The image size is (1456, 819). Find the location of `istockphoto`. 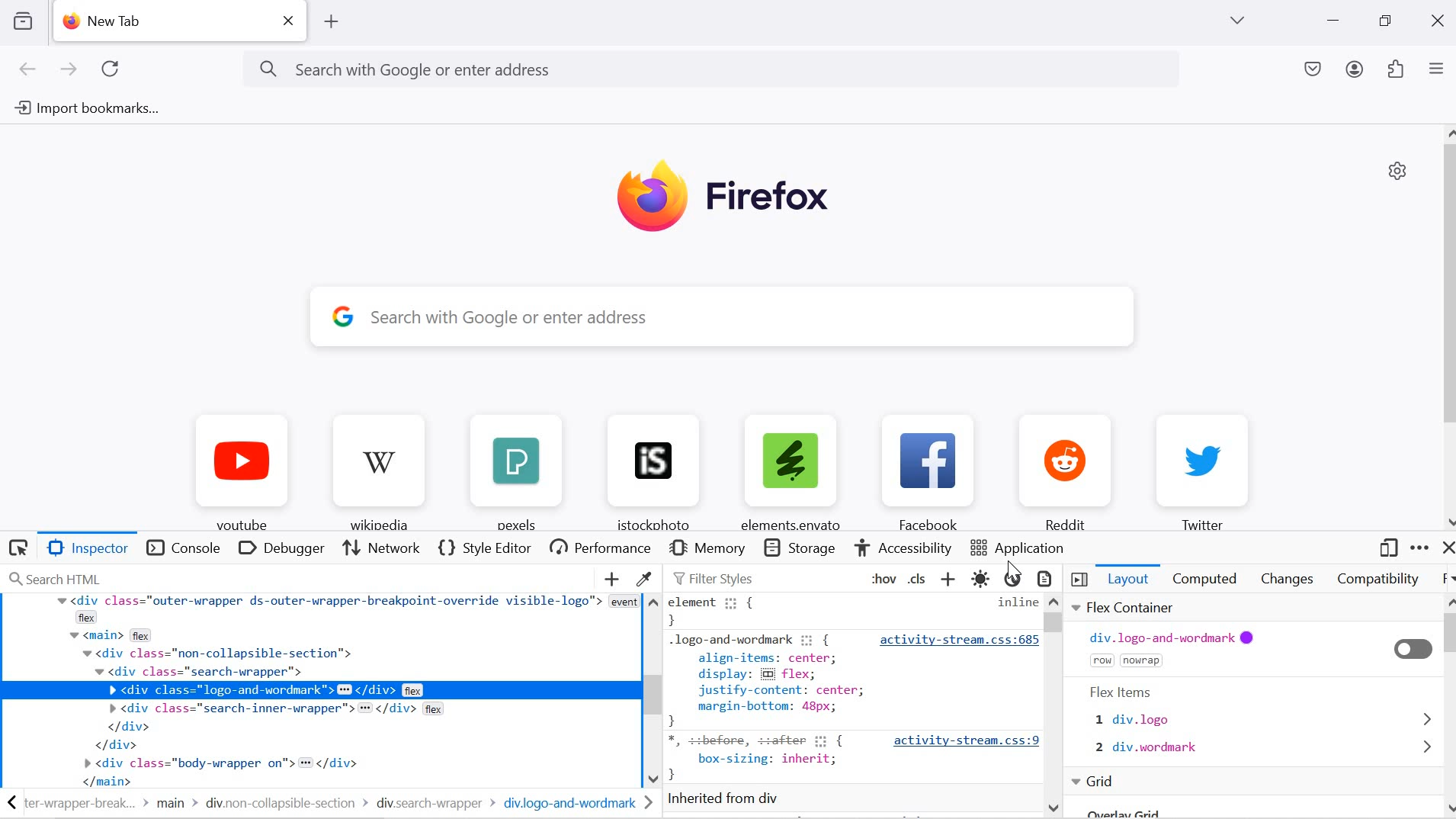

istockphoto is located at coordinates (659, 470).